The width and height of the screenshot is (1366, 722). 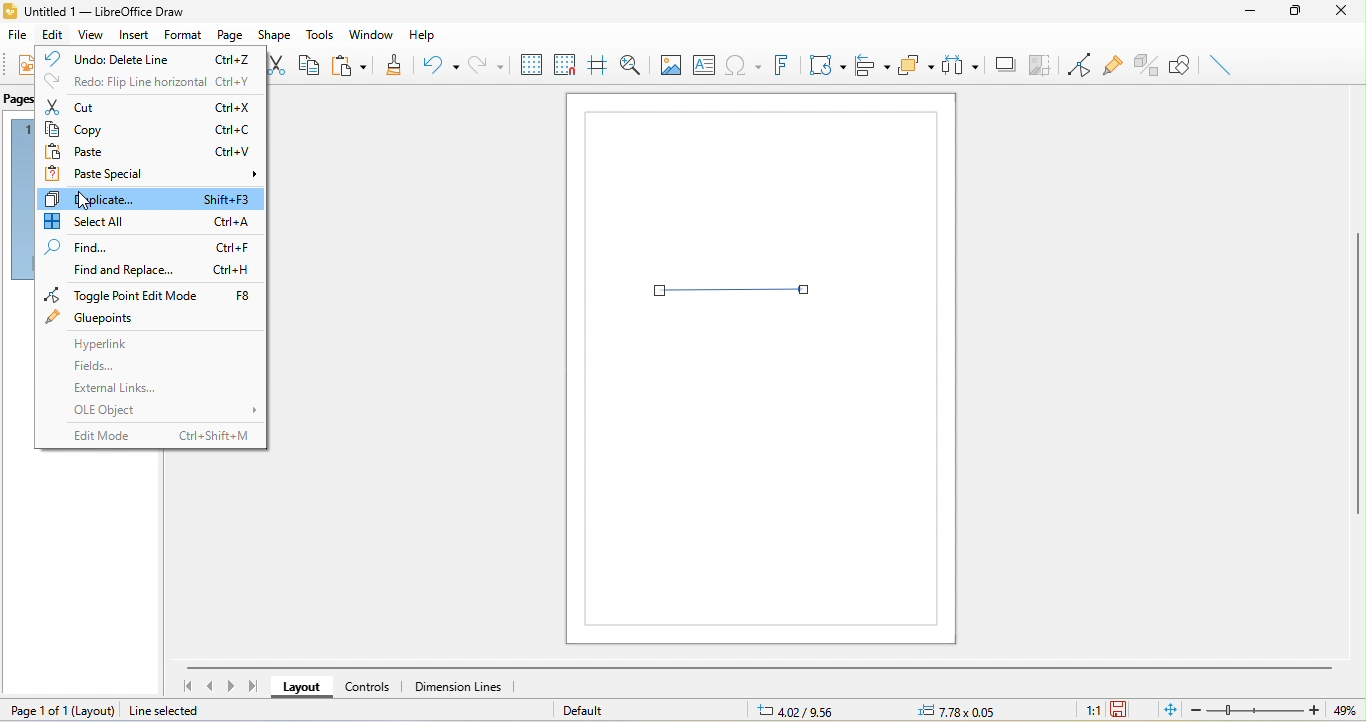 I want to click on controls, so click(x=371, y=686).